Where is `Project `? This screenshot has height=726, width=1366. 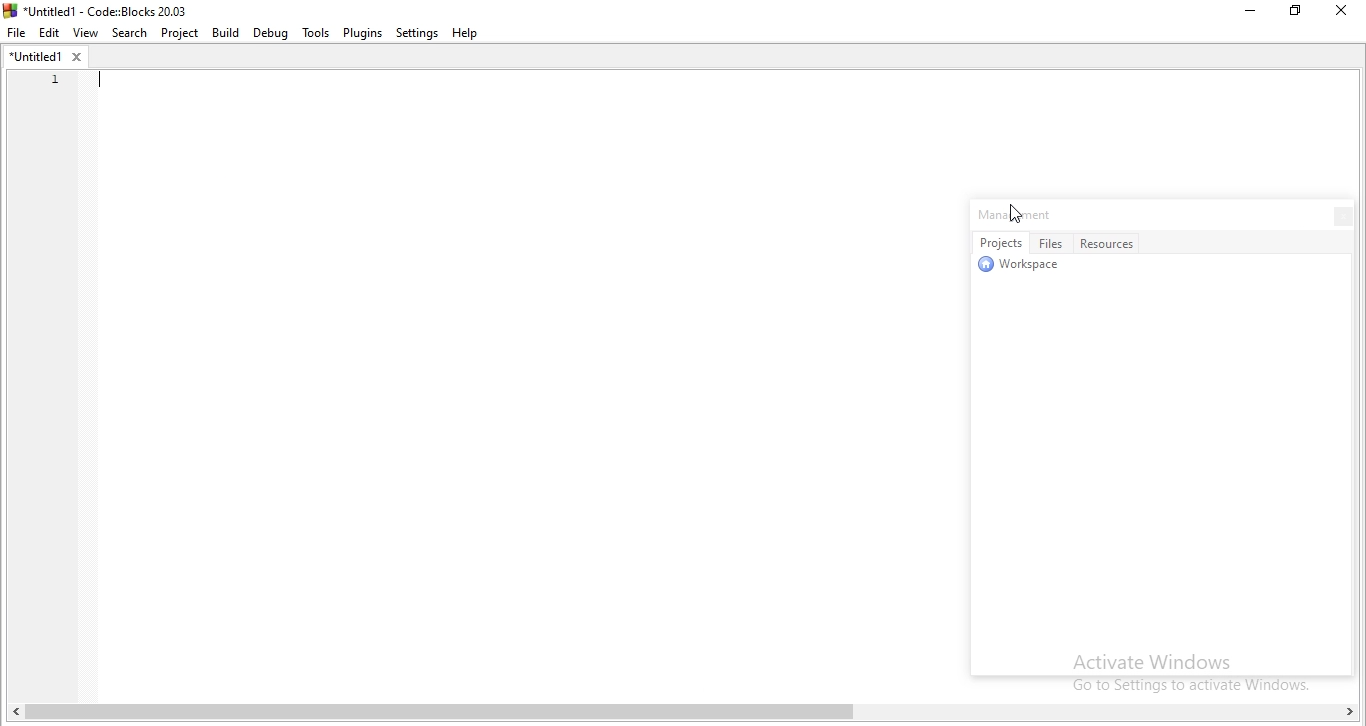 Project  is located at coordinates (181, 34).